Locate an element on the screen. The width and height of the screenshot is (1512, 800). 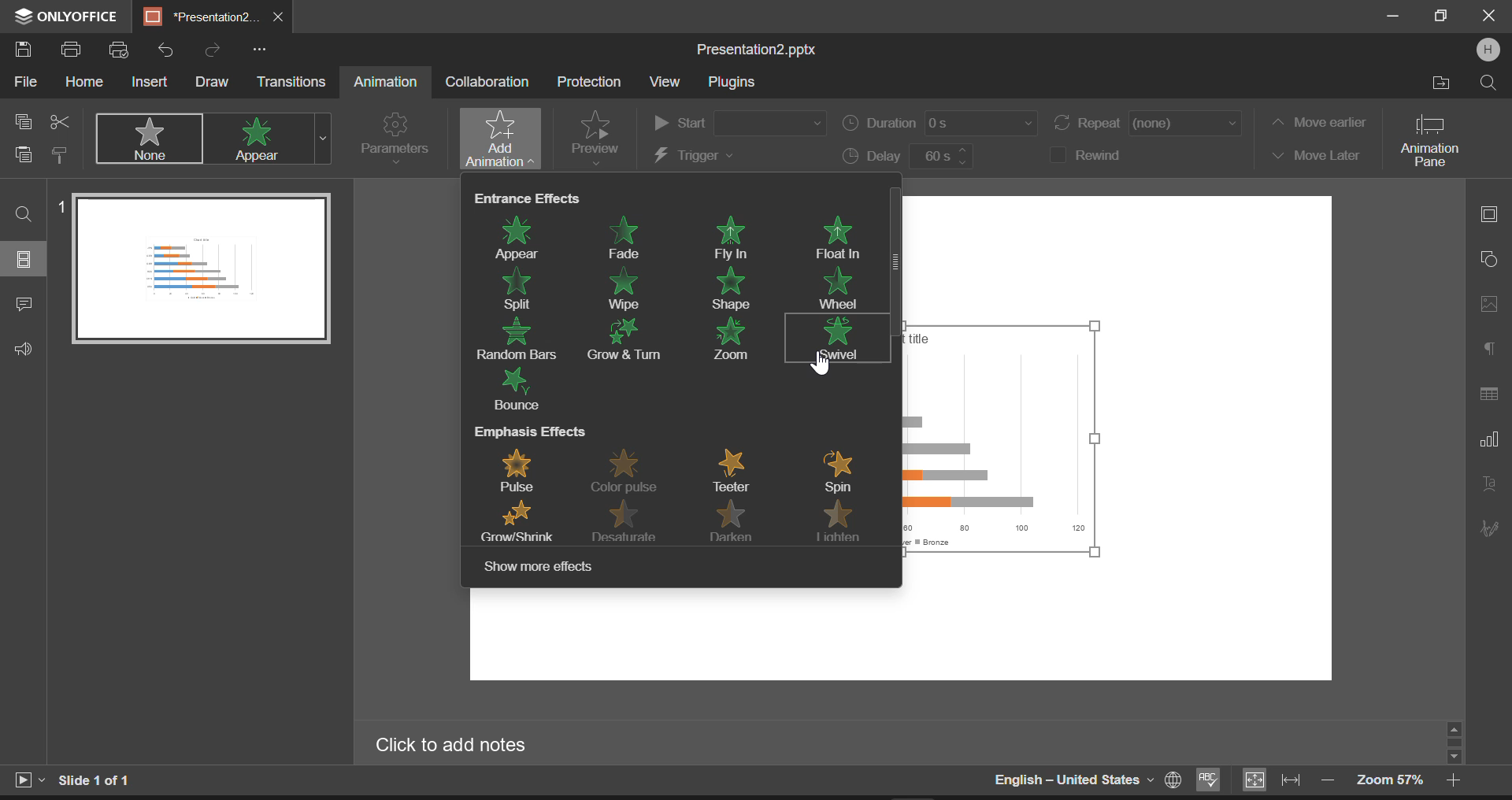
Start point is located at coordinates (739, 120).